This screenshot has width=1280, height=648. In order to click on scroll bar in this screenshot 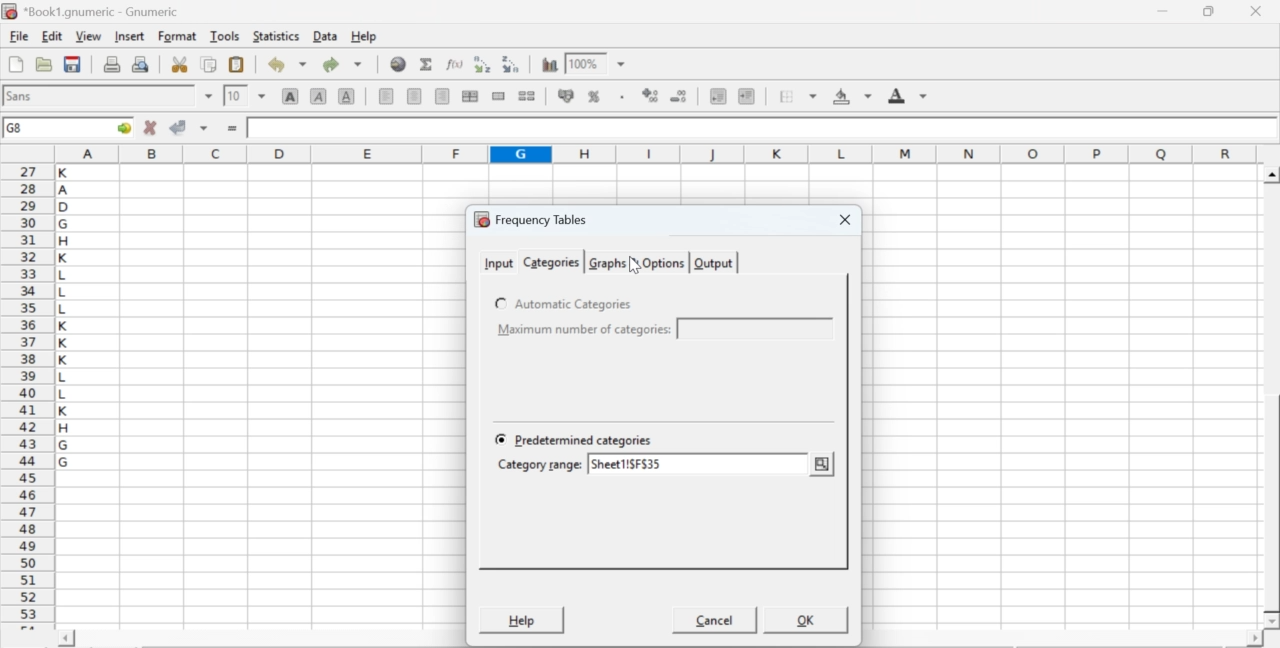, I will do `click(1272, 398)`.